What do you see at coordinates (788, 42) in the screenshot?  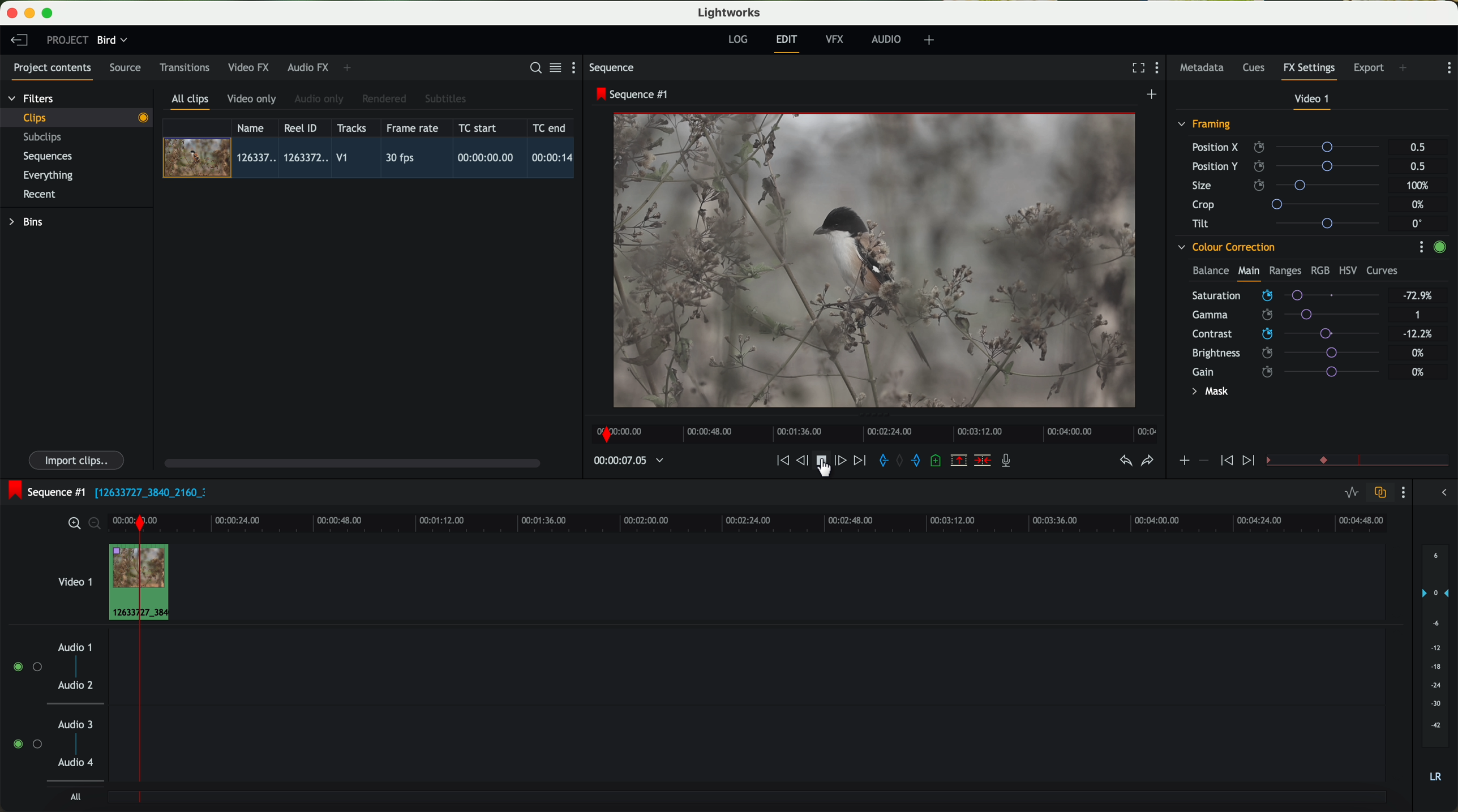 I see `edit` at bounding box center [788, 42].